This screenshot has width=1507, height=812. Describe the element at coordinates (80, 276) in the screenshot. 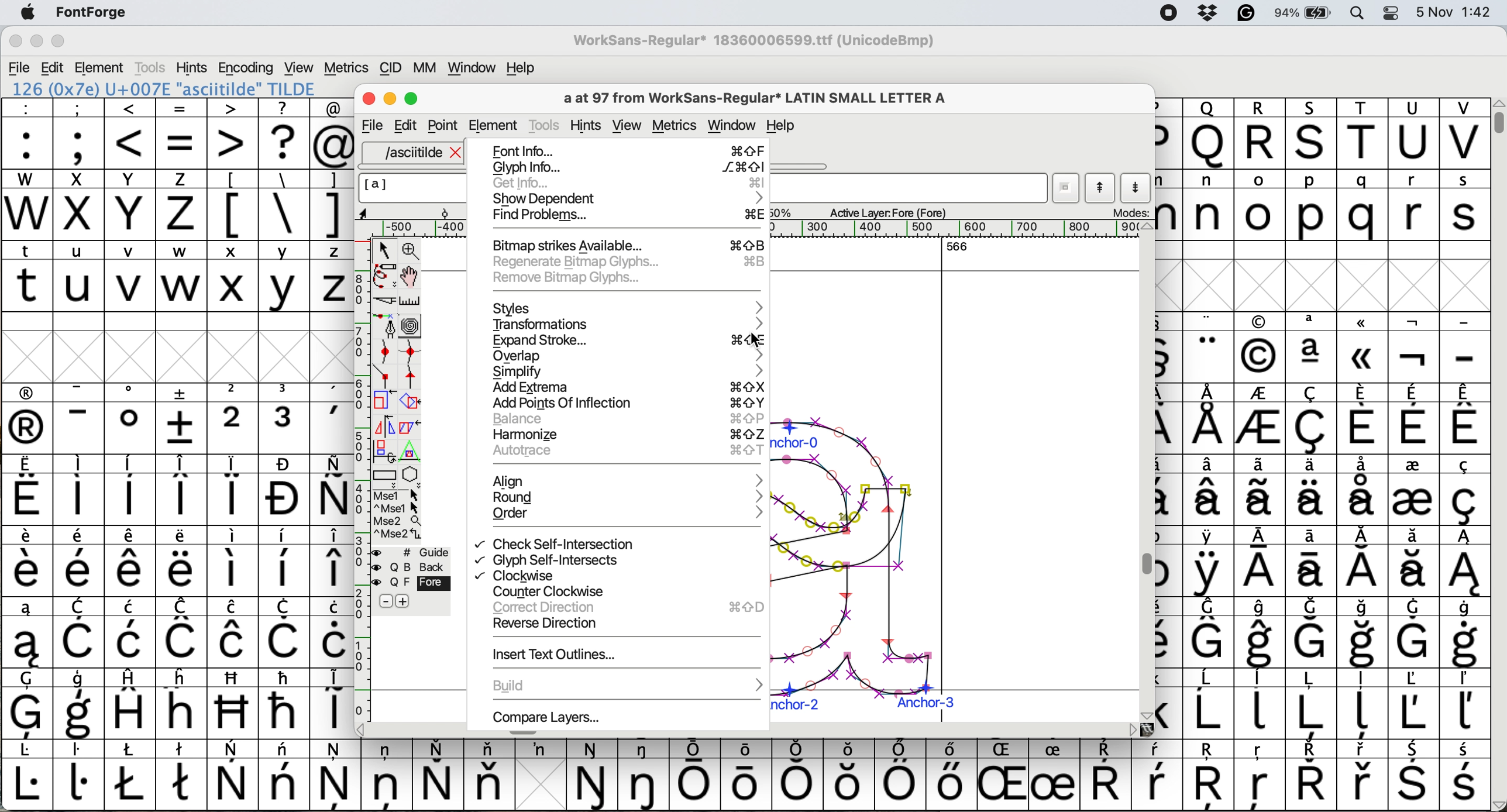

I see `u` at that location.